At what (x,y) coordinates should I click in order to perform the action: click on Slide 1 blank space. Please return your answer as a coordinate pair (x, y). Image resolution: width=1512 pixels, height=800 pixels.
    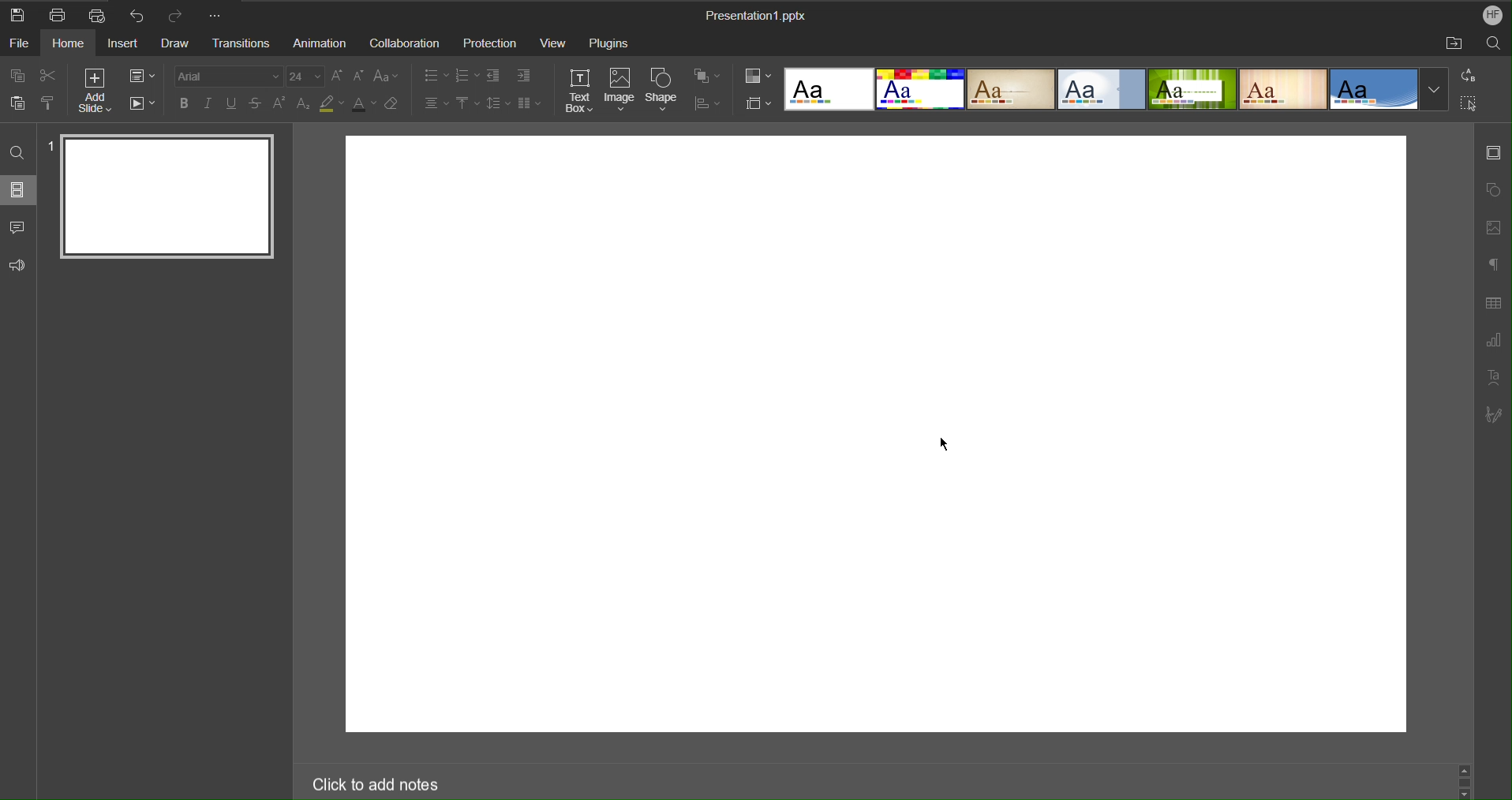
    Looking at the image, I should click on (874, 434).